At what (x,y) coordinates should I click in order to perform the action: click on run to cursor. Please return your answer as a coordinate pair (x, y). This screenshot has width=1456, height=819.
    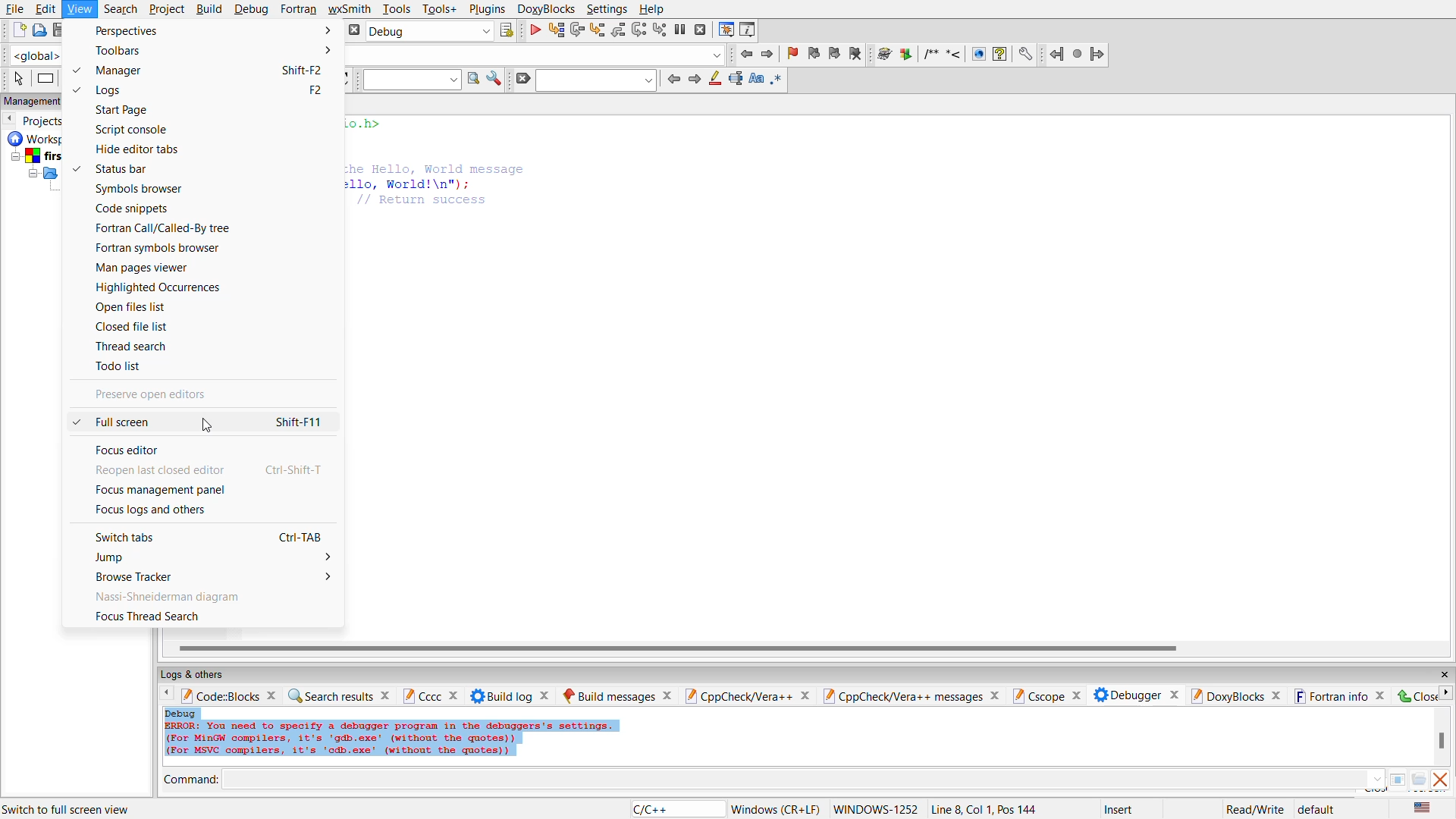
    Looking at the image, I should click on (554, 30).